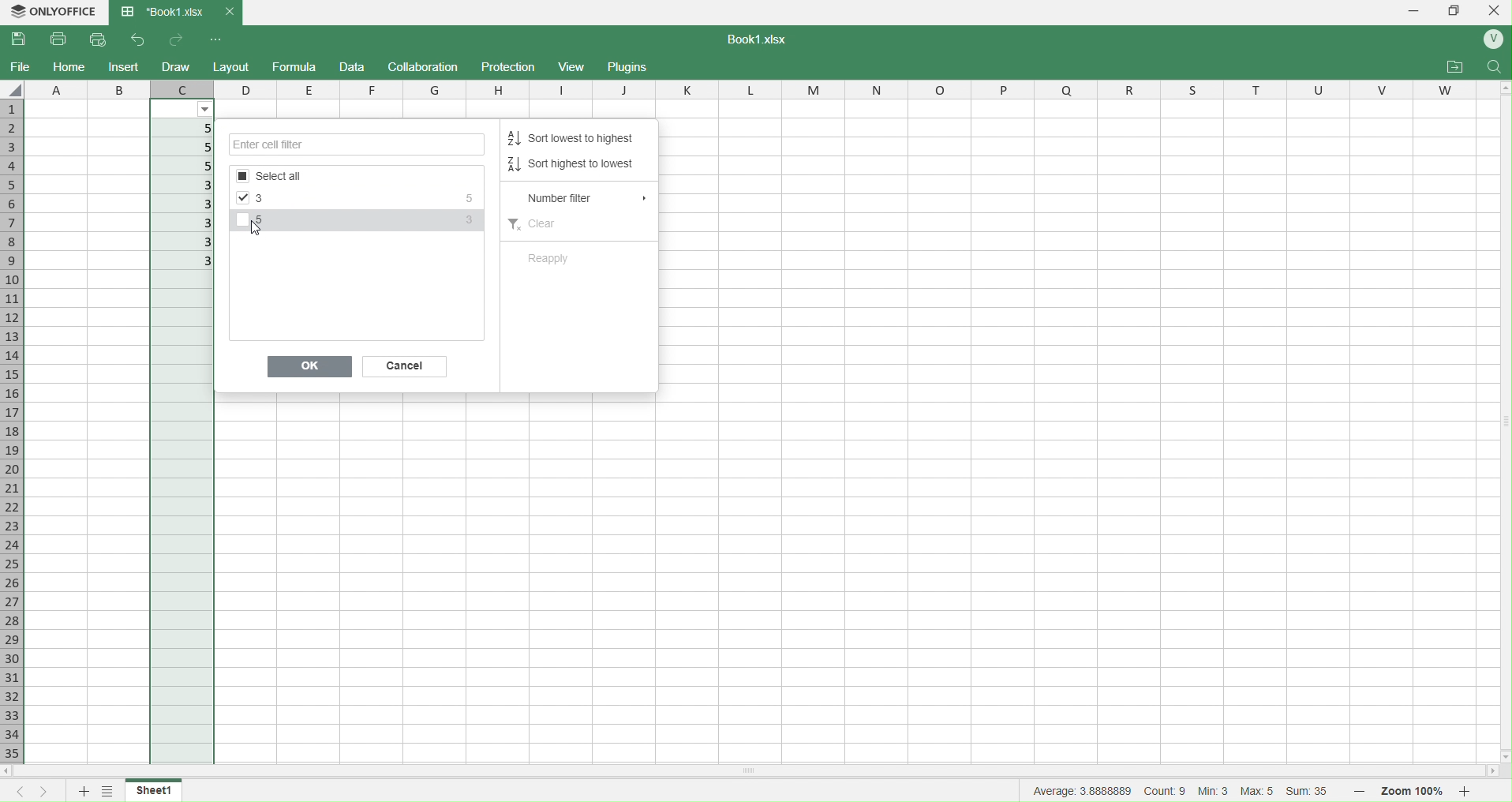  I want to click on next sheet, so click(49, 792).